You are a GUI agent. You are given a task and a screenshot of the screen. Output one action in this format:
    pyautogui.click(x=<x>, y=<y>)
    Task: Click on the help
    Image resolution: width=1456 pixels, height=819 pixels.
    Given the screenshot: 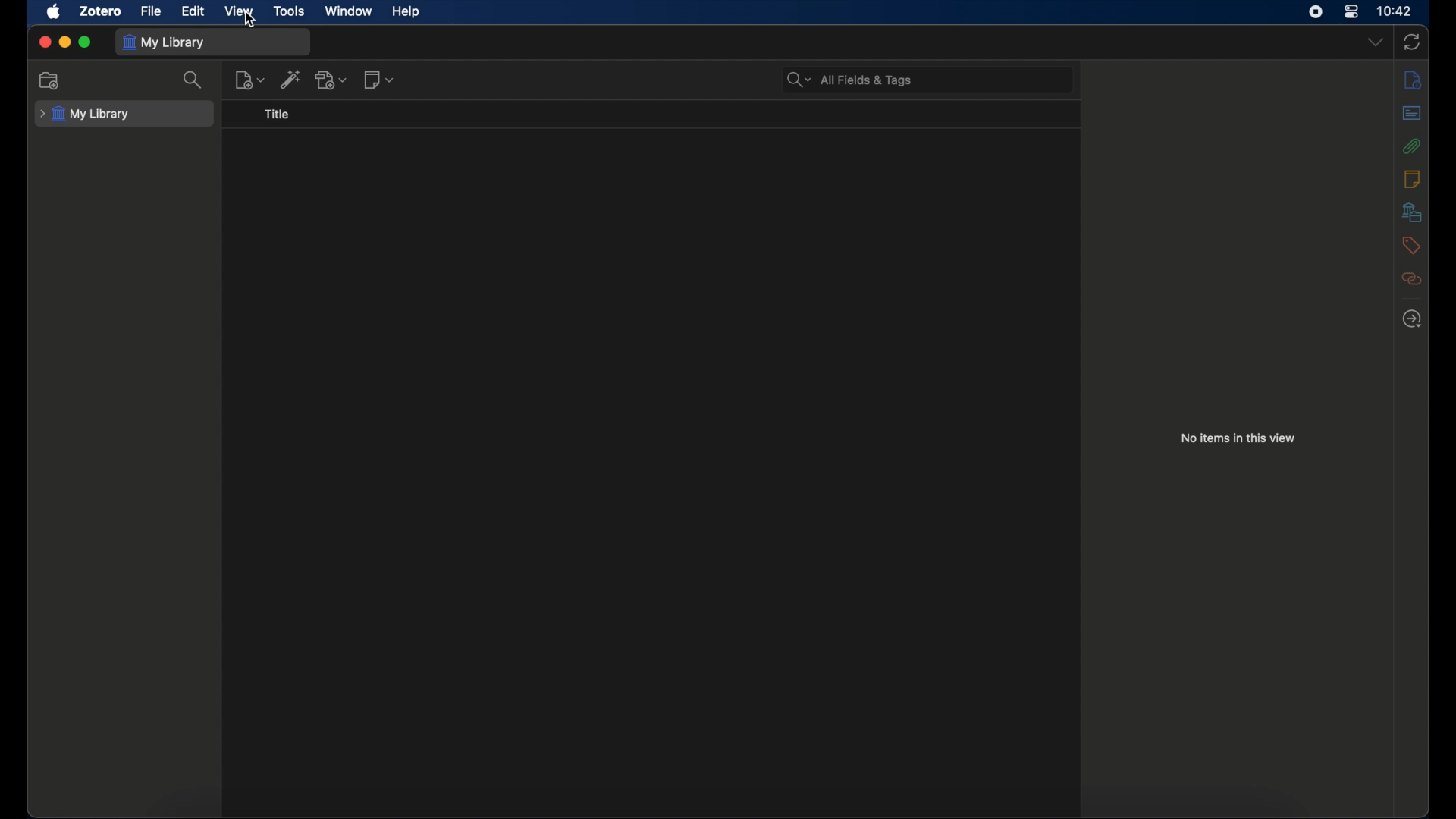 What is the action you would take?
    pyautogui.click(x=406, y=12)
    